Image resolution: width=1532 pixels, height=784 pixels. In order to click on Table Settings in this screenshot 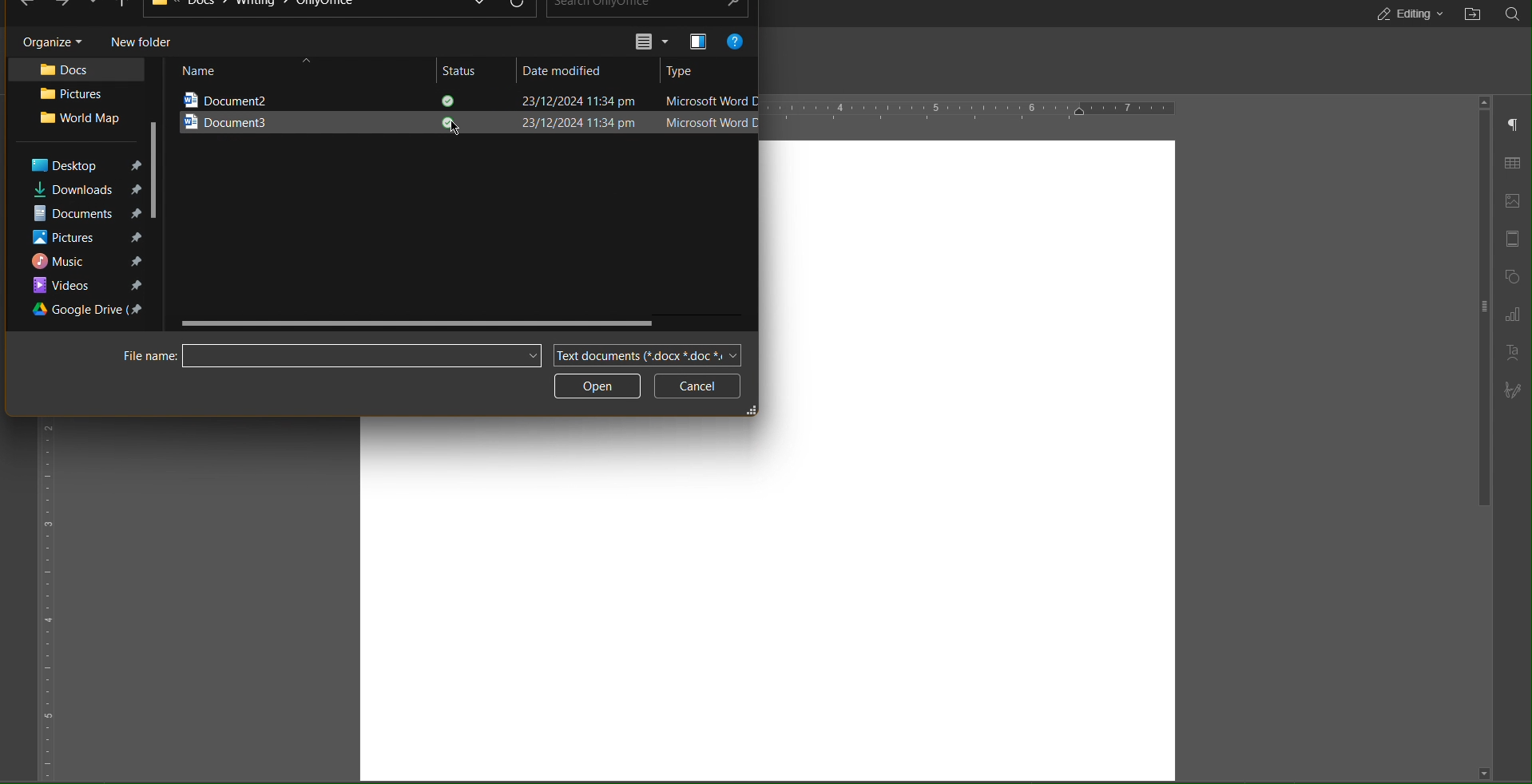, I will do `click(1512, 164)`.